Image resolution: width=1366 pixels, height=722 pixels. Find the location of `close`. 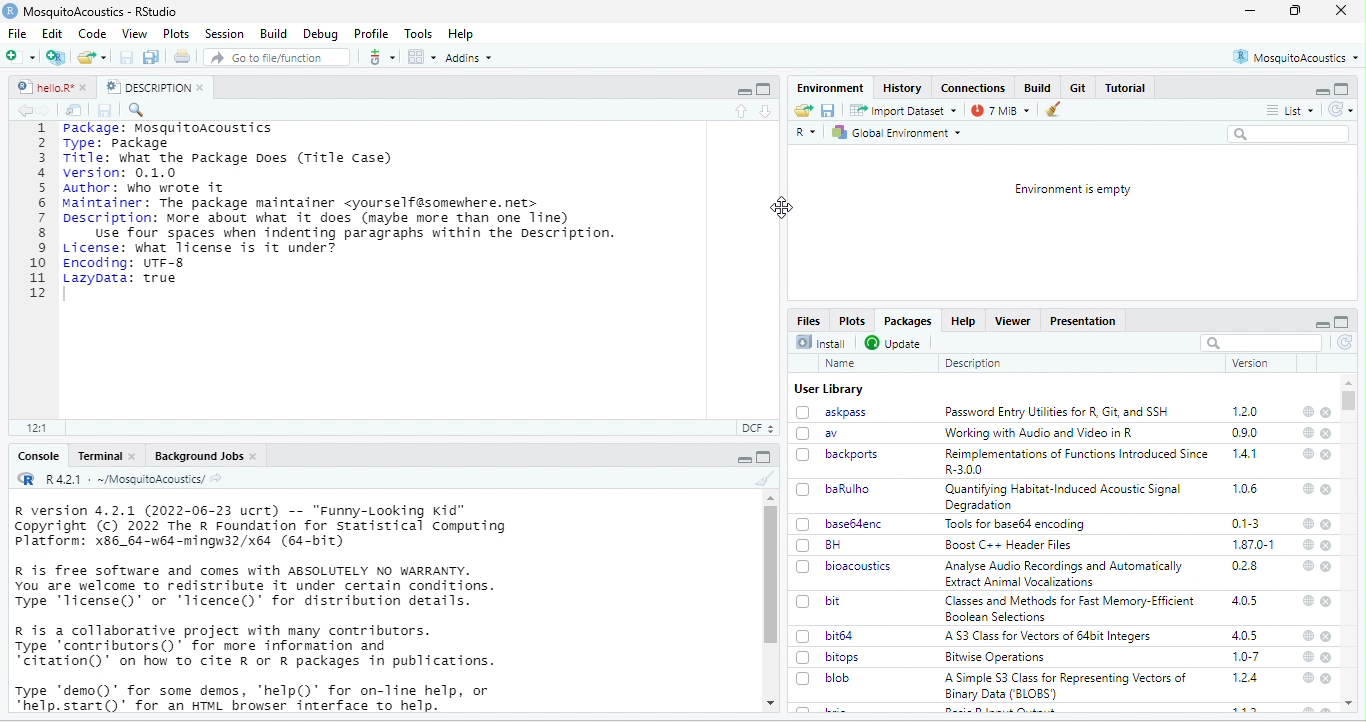

close is located at coordinates (1327, 434).